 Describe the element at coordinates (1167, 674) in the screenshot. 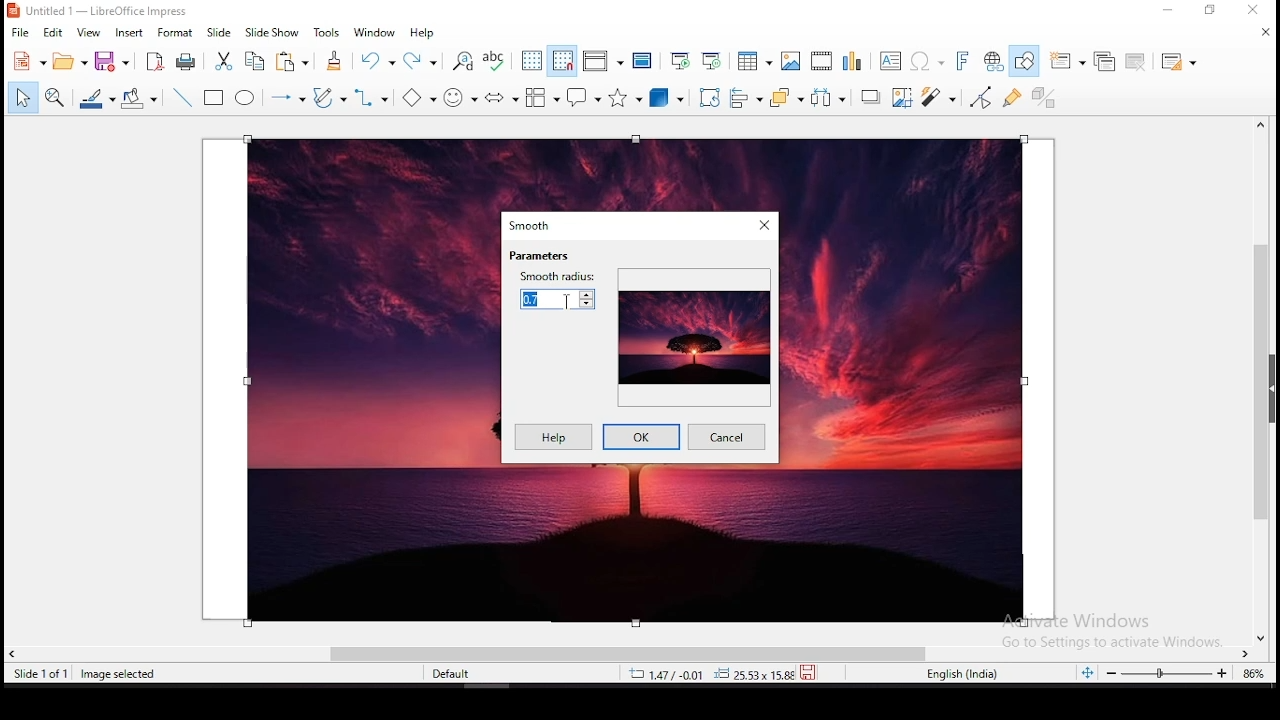

I see `zoom slider` at that location.